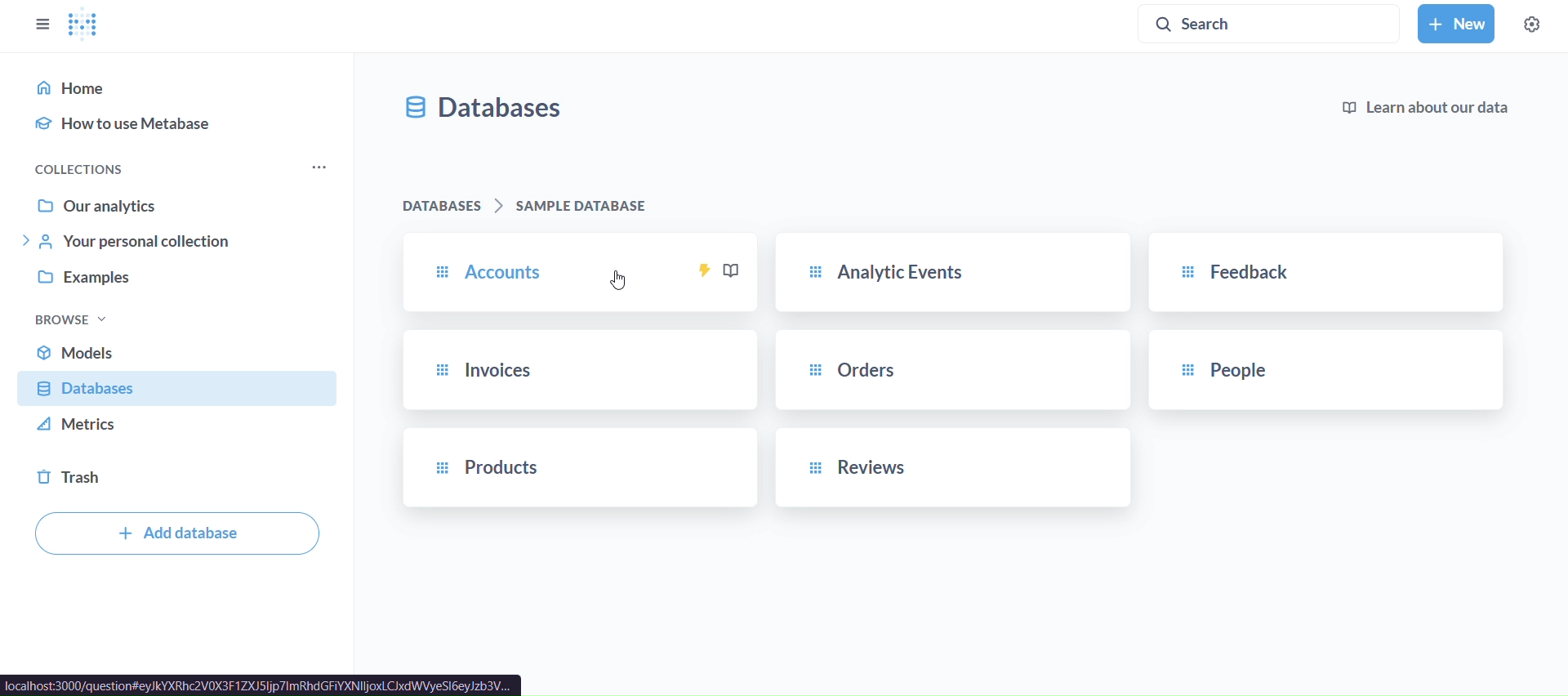 This screenshot has width=1568, height=696. Describe the element at coordinates (178, 242) in the screenshot. I see `your personal collection` at that location.